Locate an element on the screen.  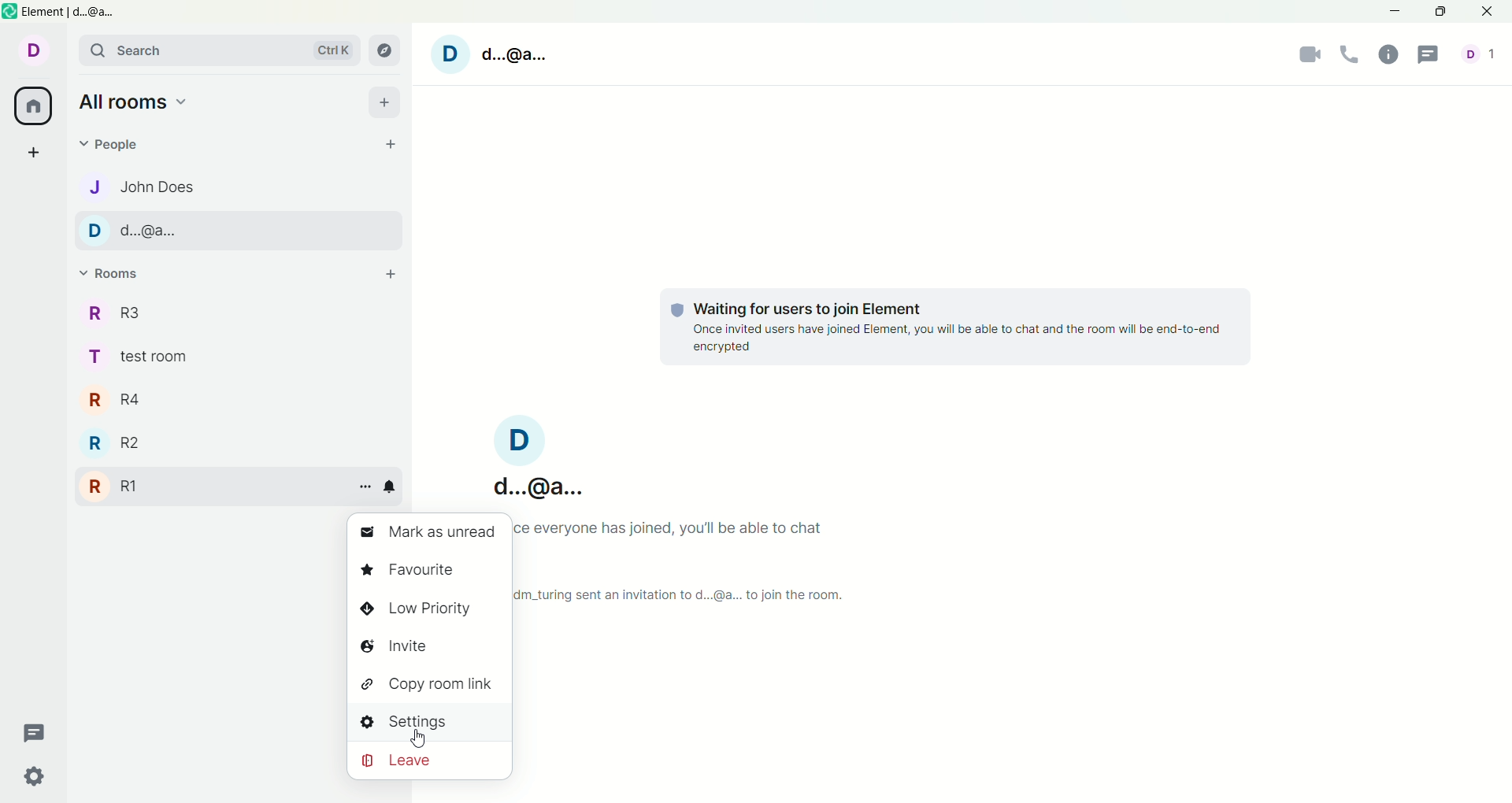
threads is located at coordinates (1432, 57).